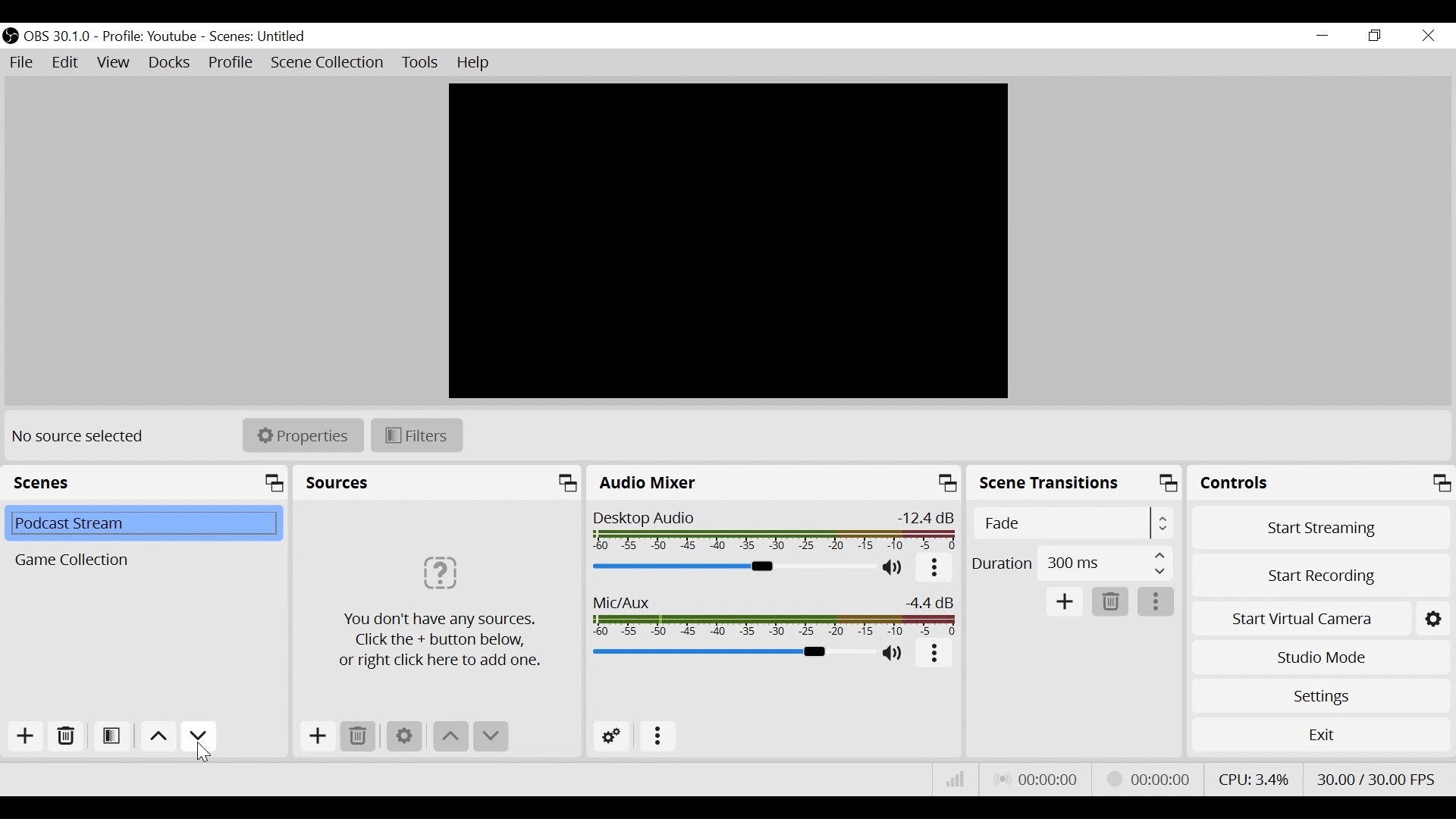  Describe the element at coordinates (60, 36) in the screenshot. I see `OBS Version` at that location.